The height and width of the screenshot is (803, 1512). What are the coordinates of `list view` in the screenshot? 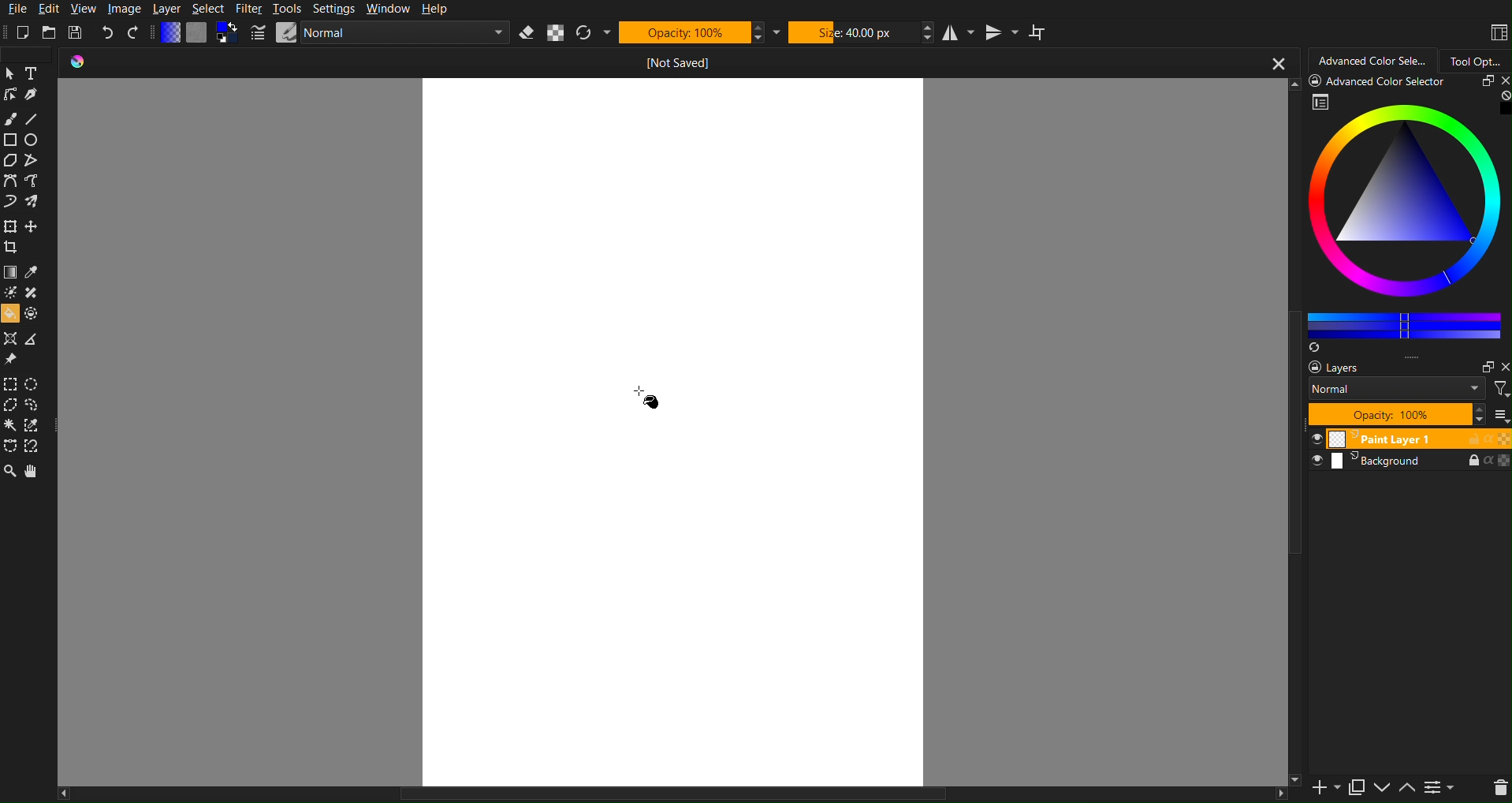 It's located at (1500, 414).